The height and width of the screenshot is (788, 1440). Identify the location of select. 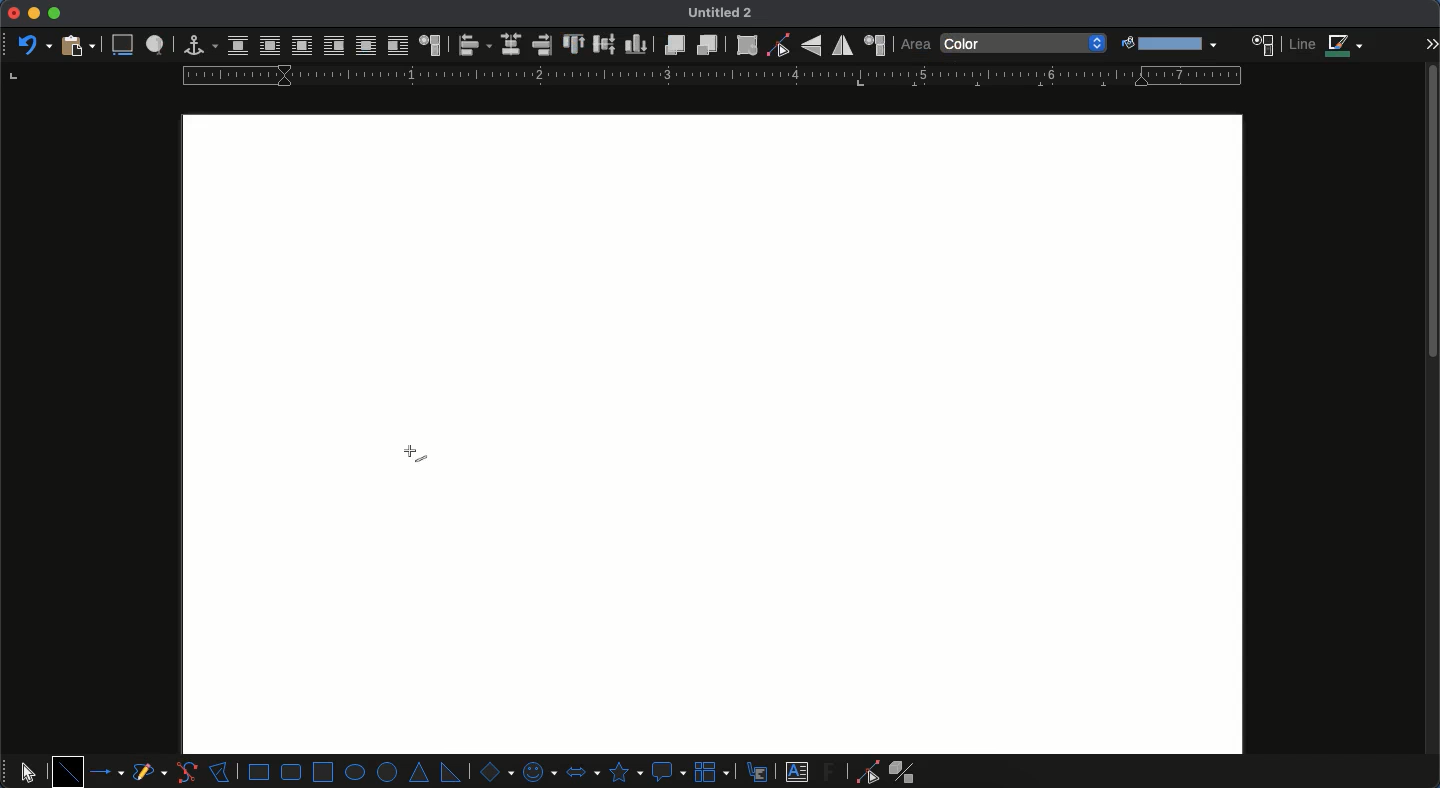
(28, 769).